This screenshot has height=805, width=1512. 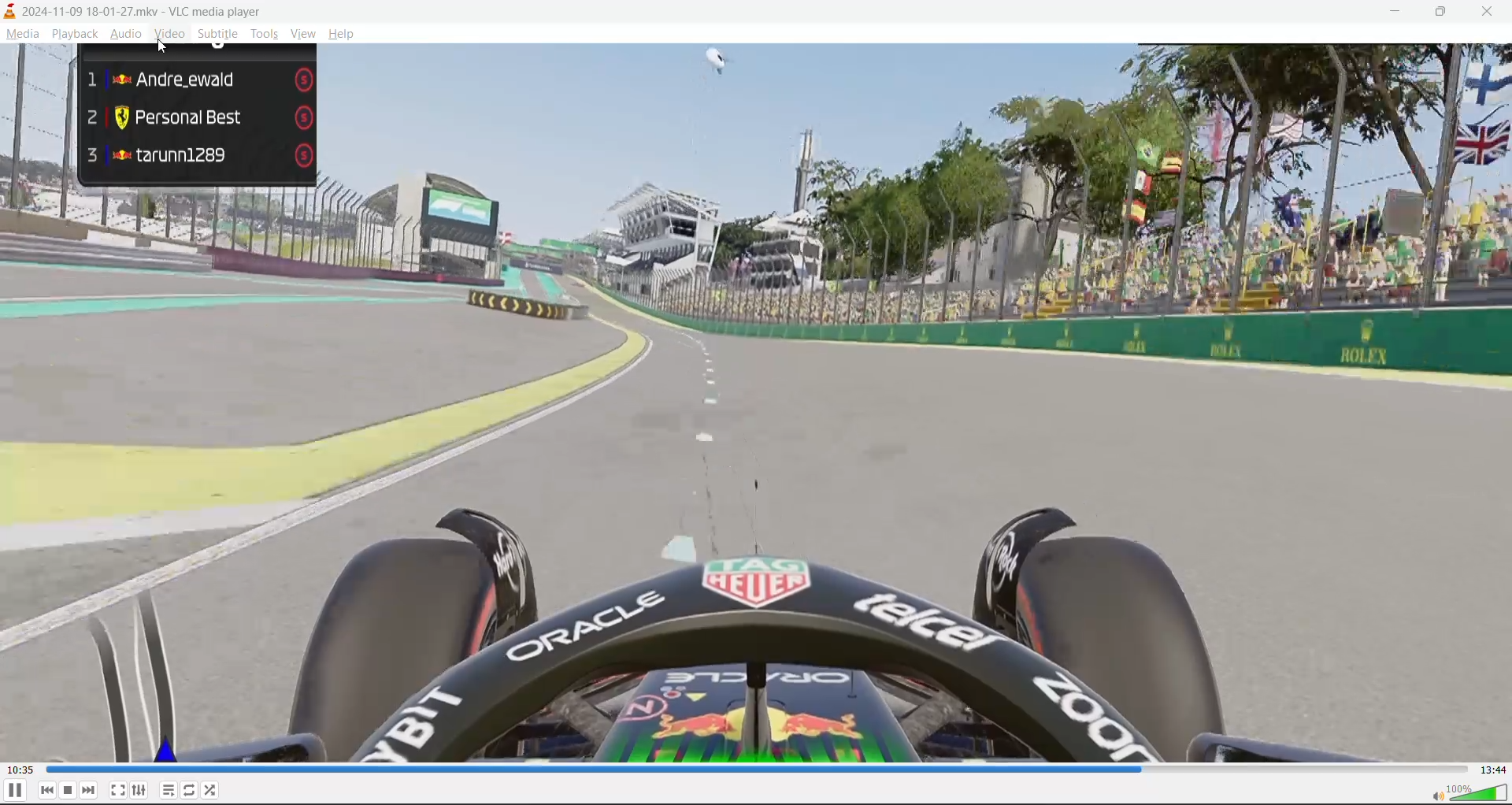 I want to click on previous, so click(x=47, y=791).